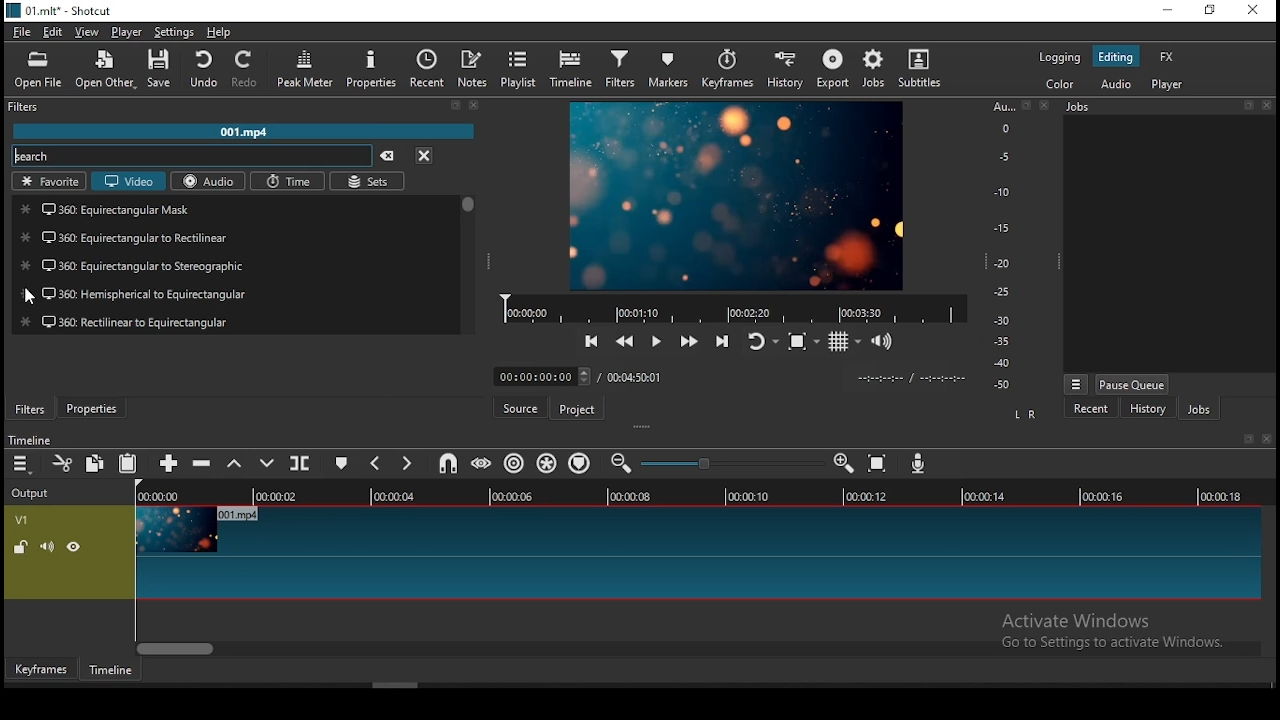 The image size is (1280, 720). What do you see at coordinates (108, 670) in the screenshot?
I see `timeline` at bounding box center [108, 670].